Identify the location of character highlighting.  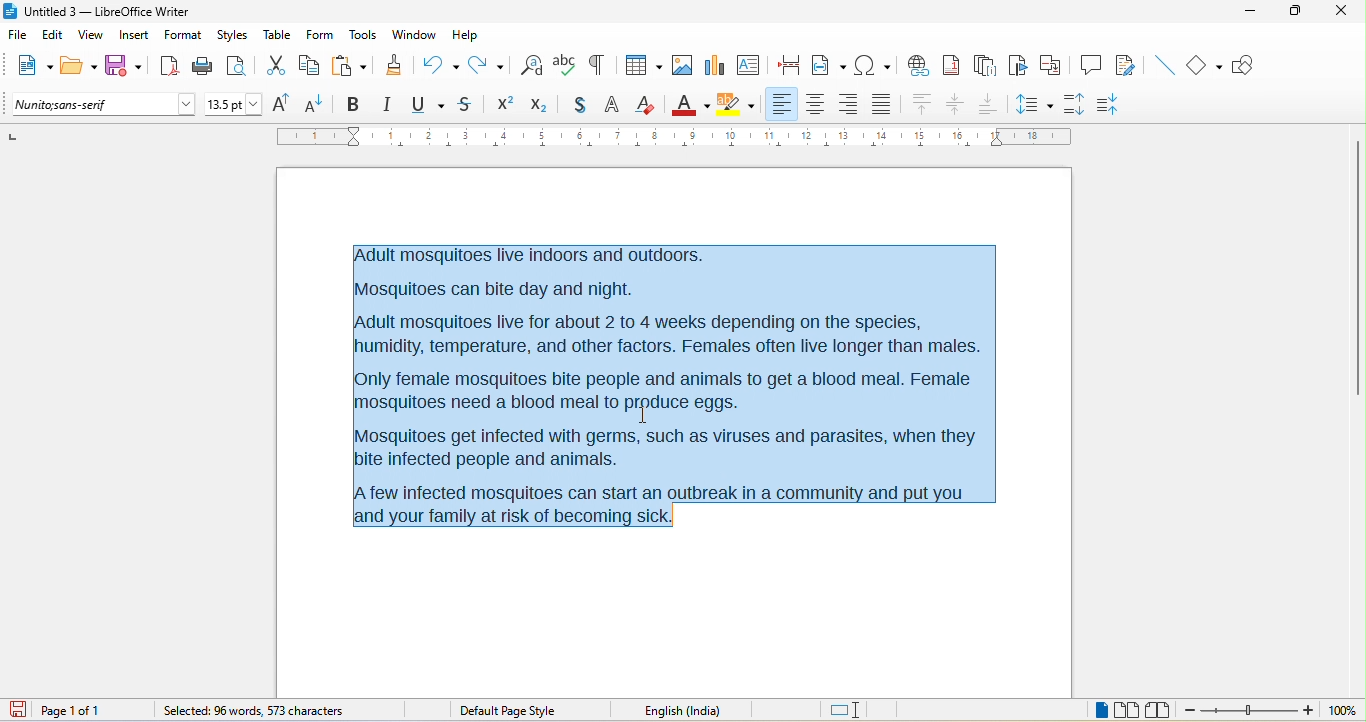
(741, 104).